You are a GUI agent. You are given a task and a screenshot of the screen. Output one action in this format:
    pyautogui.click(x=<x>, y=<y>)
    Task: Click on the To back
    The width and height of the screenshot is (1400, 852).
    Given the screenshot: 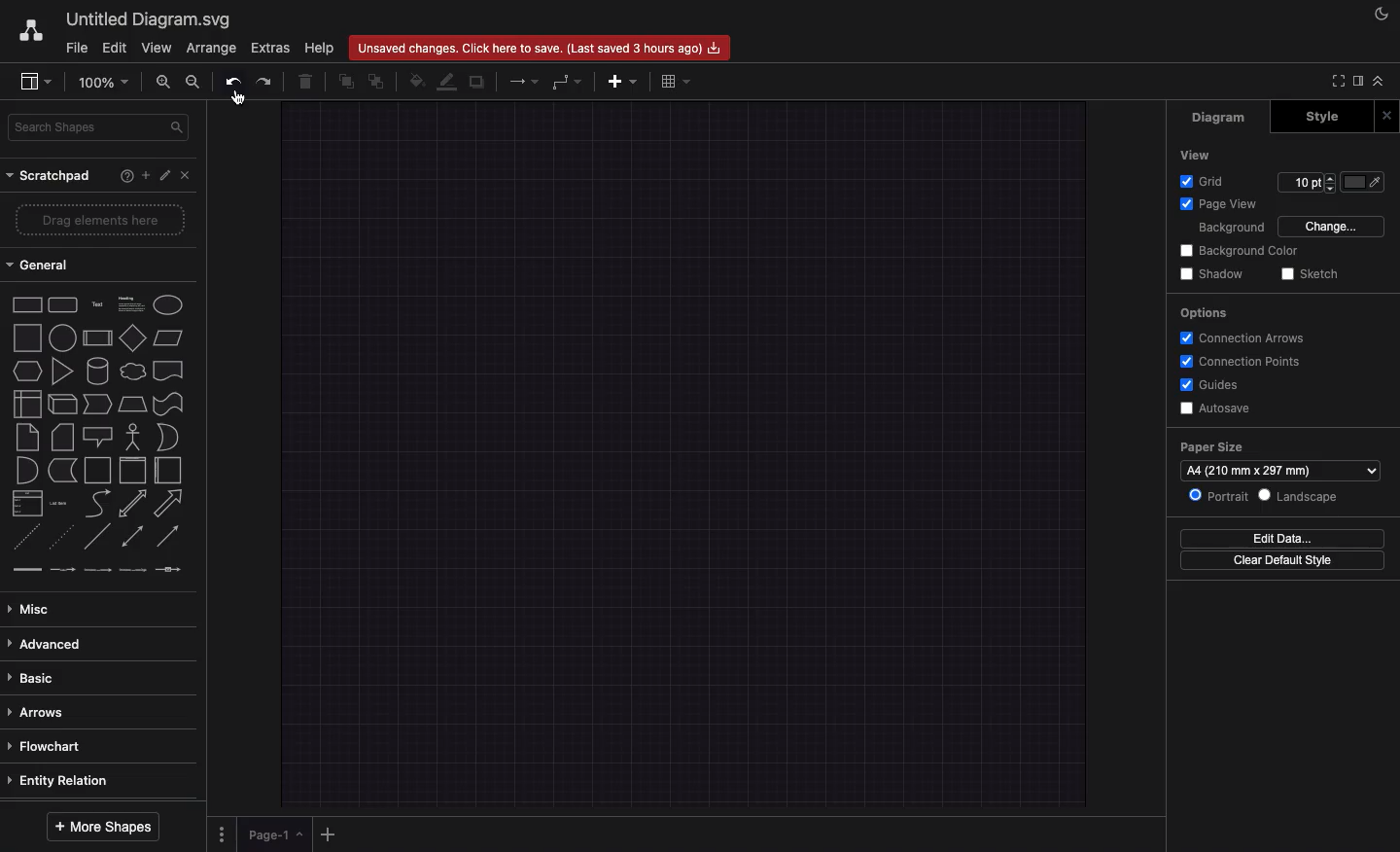 What is the action you would take?
    pyautogui.click(x=379, y=81)
    